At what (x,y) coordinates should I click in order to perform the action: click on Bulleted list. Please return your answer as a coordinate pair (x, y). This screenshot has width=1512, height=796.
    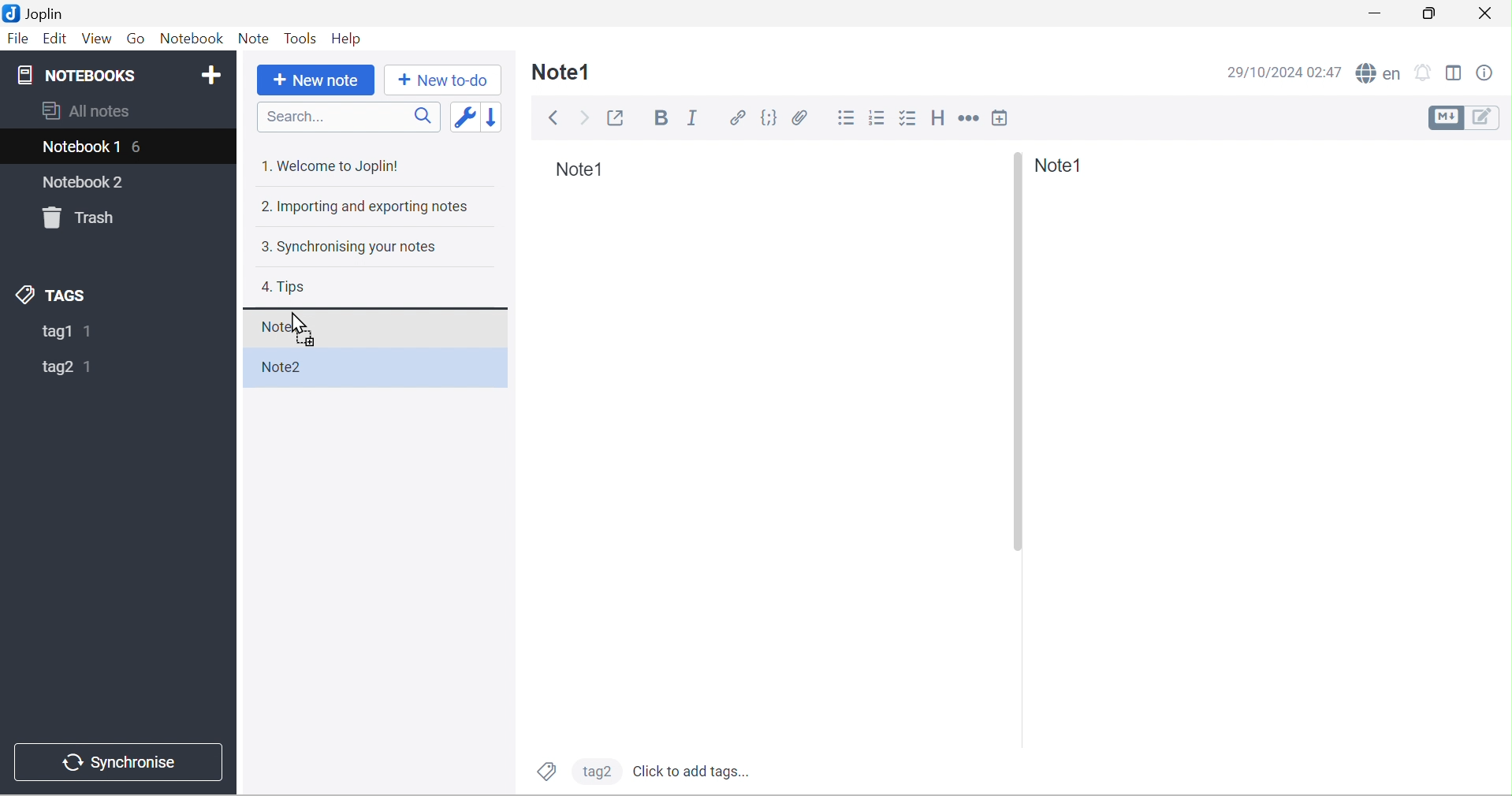
    Looking at the image, I should click on (845, 120).